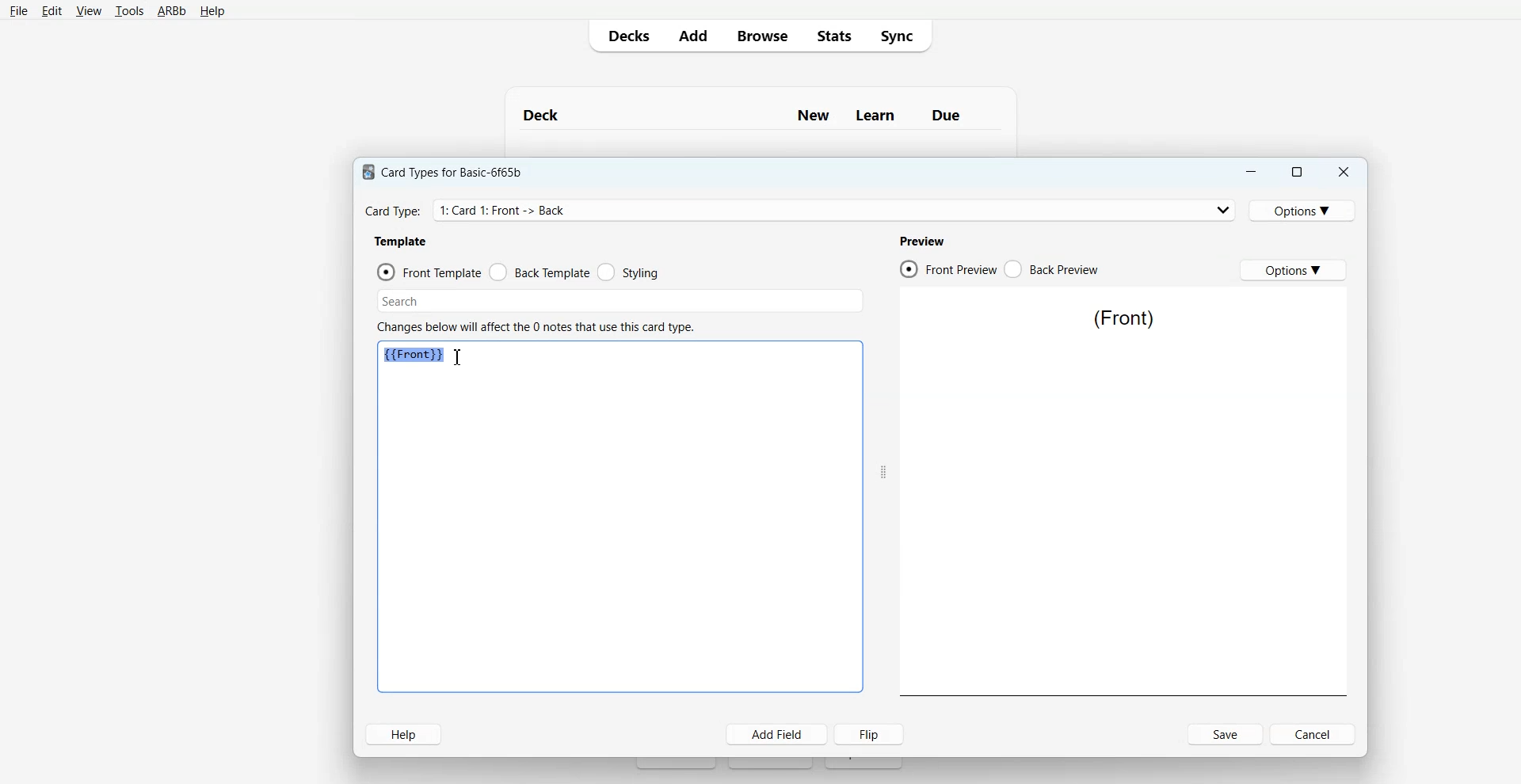 The image size is (1521, 784). Describe the element at coordinates (871, 734) in the screenshot. I see `Flip` at that location.